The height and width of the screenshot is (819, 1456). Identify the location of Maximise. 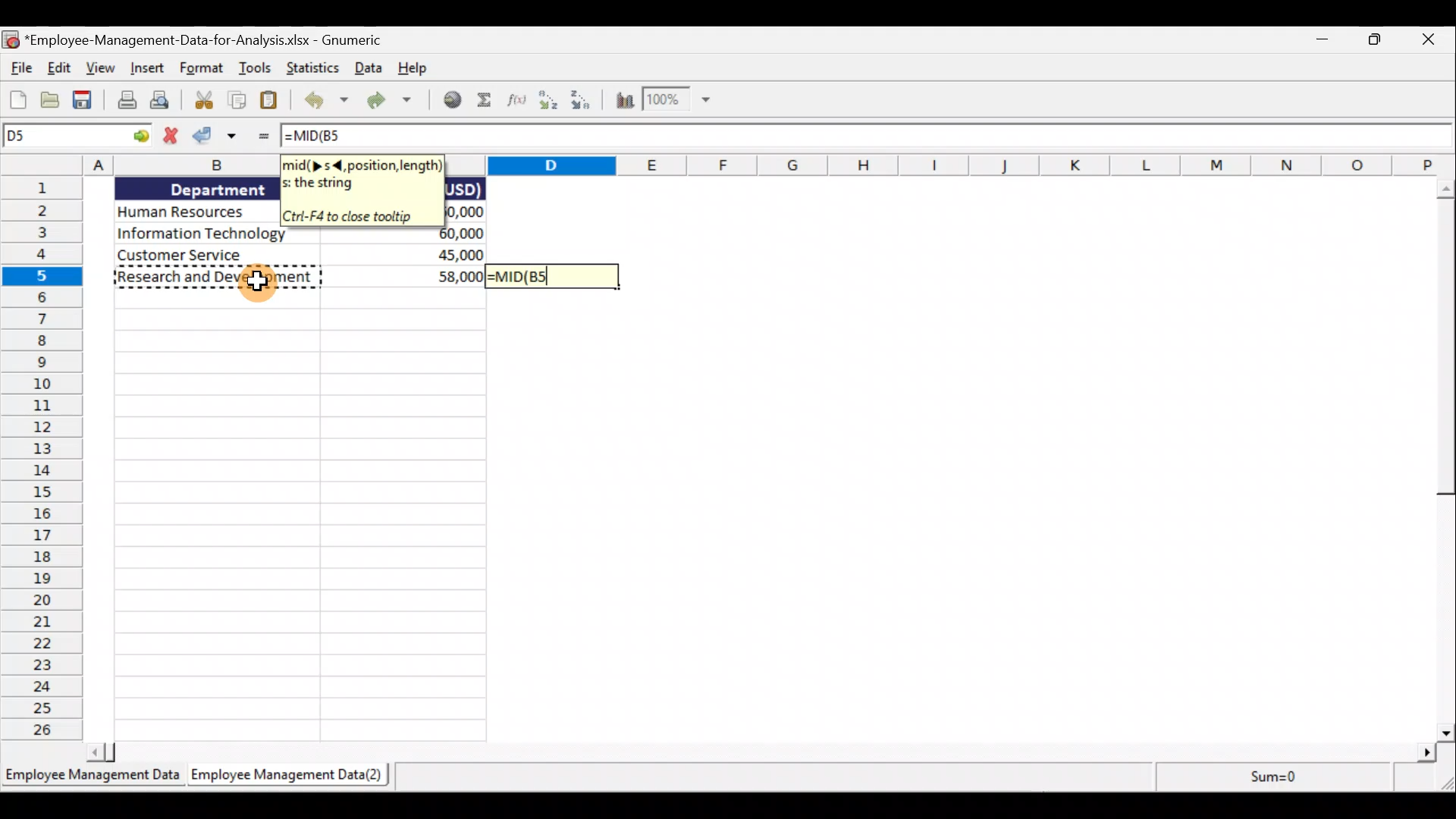
(1381, 42).